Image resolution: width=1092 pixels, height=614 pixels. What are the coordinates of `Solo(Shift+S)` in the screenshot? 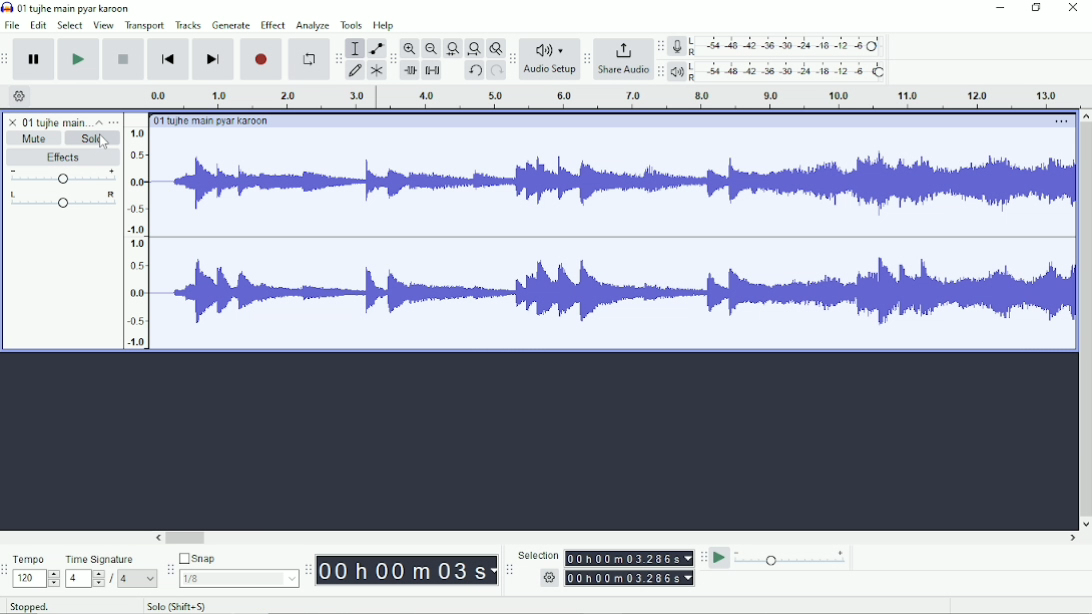 It's located at (182, 606).